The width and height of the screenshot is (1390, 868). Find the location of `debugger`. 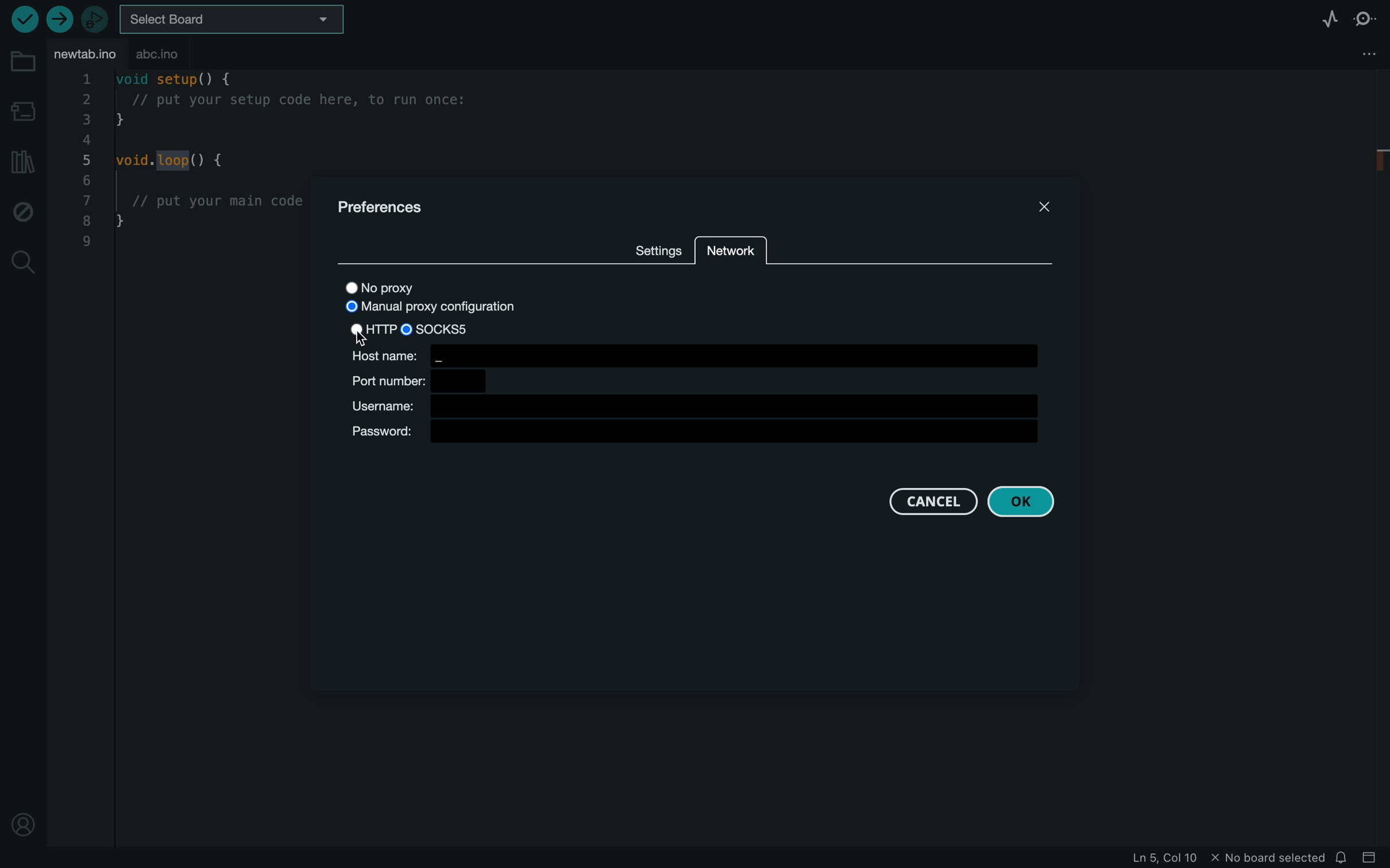

debugger is located at coordinates (95, 18).